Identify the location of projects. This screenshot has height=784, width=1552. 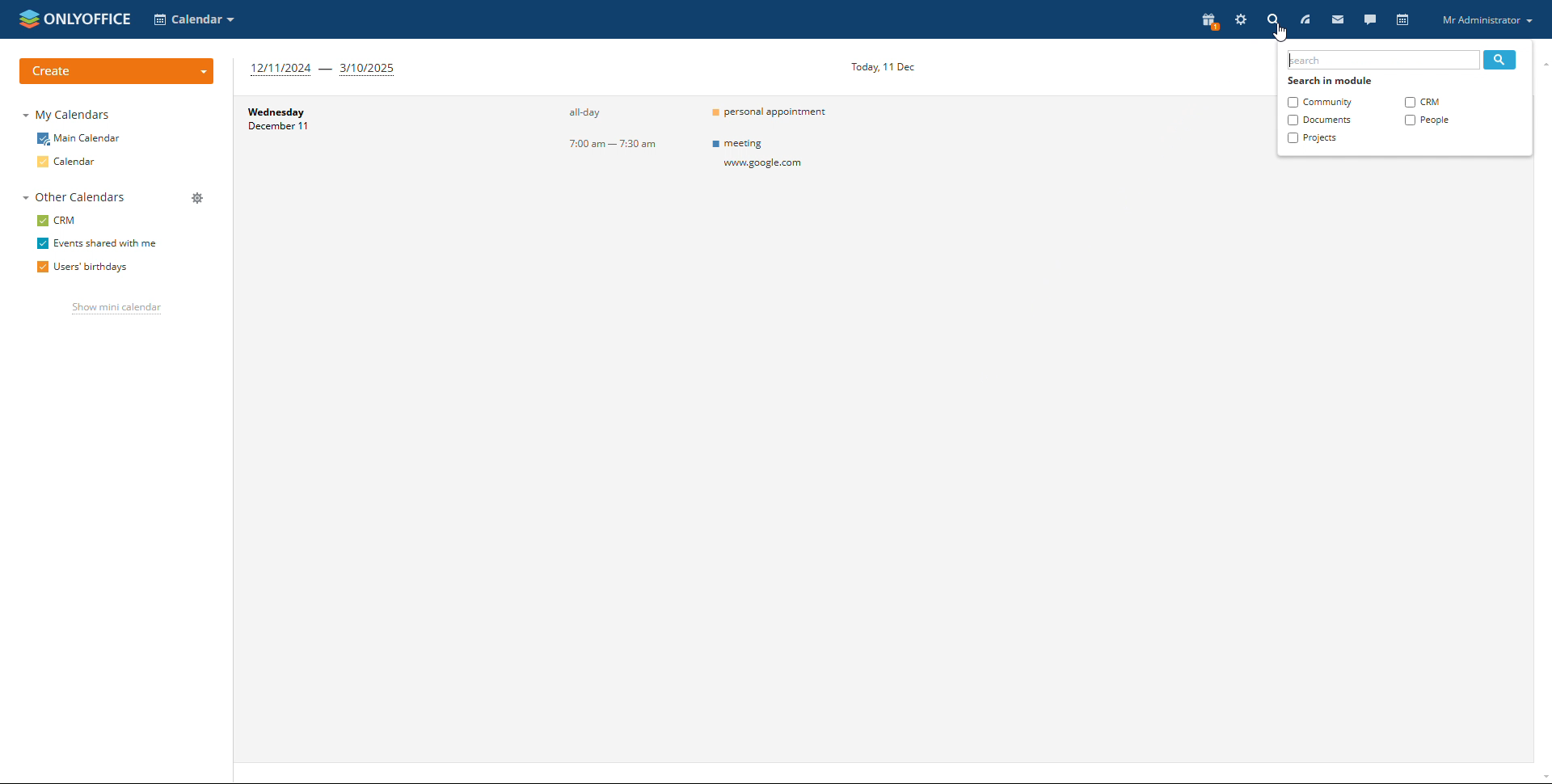
(1322, 139).